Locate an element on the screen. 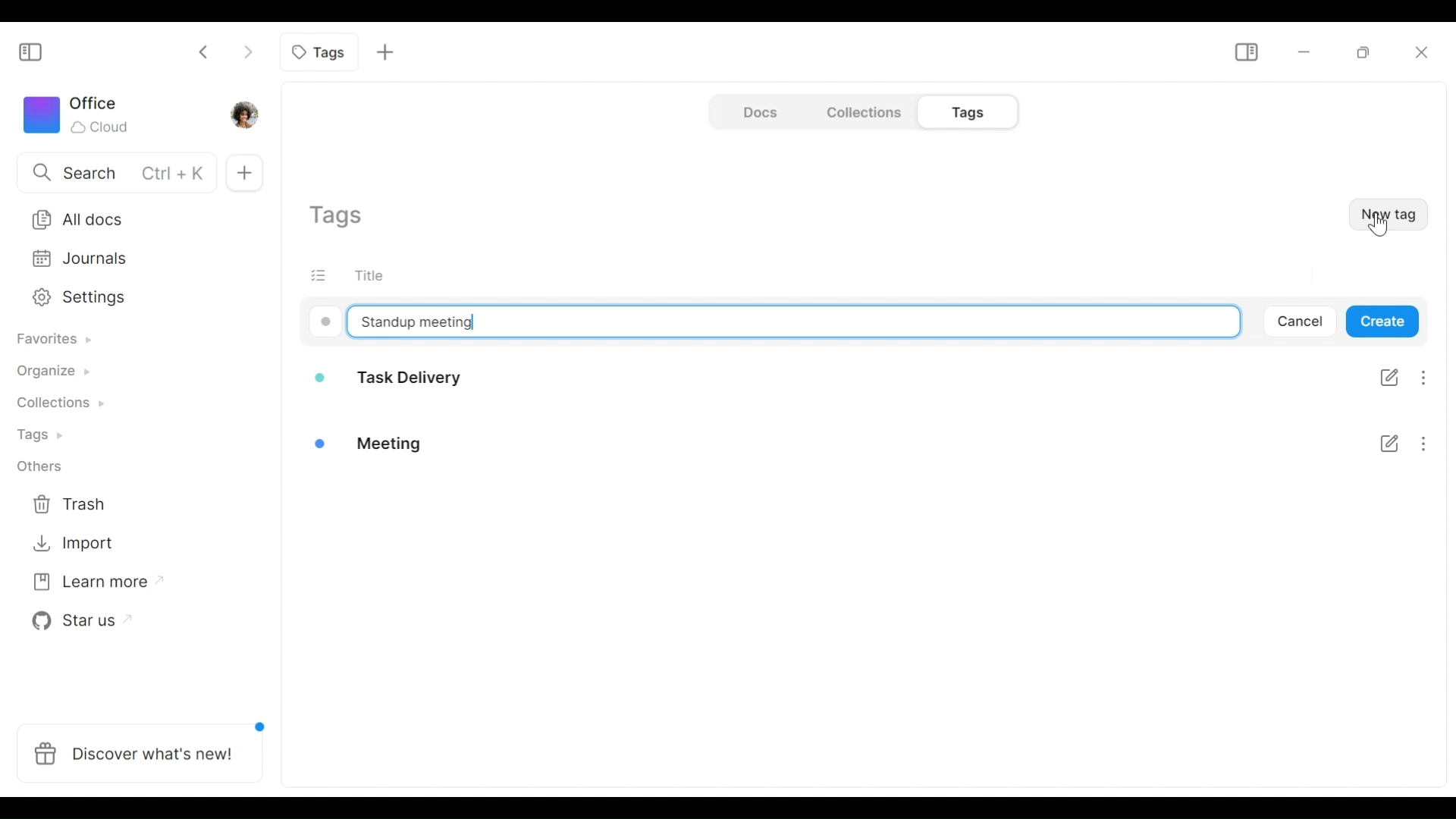  Import is located at coordinates (78, 546).